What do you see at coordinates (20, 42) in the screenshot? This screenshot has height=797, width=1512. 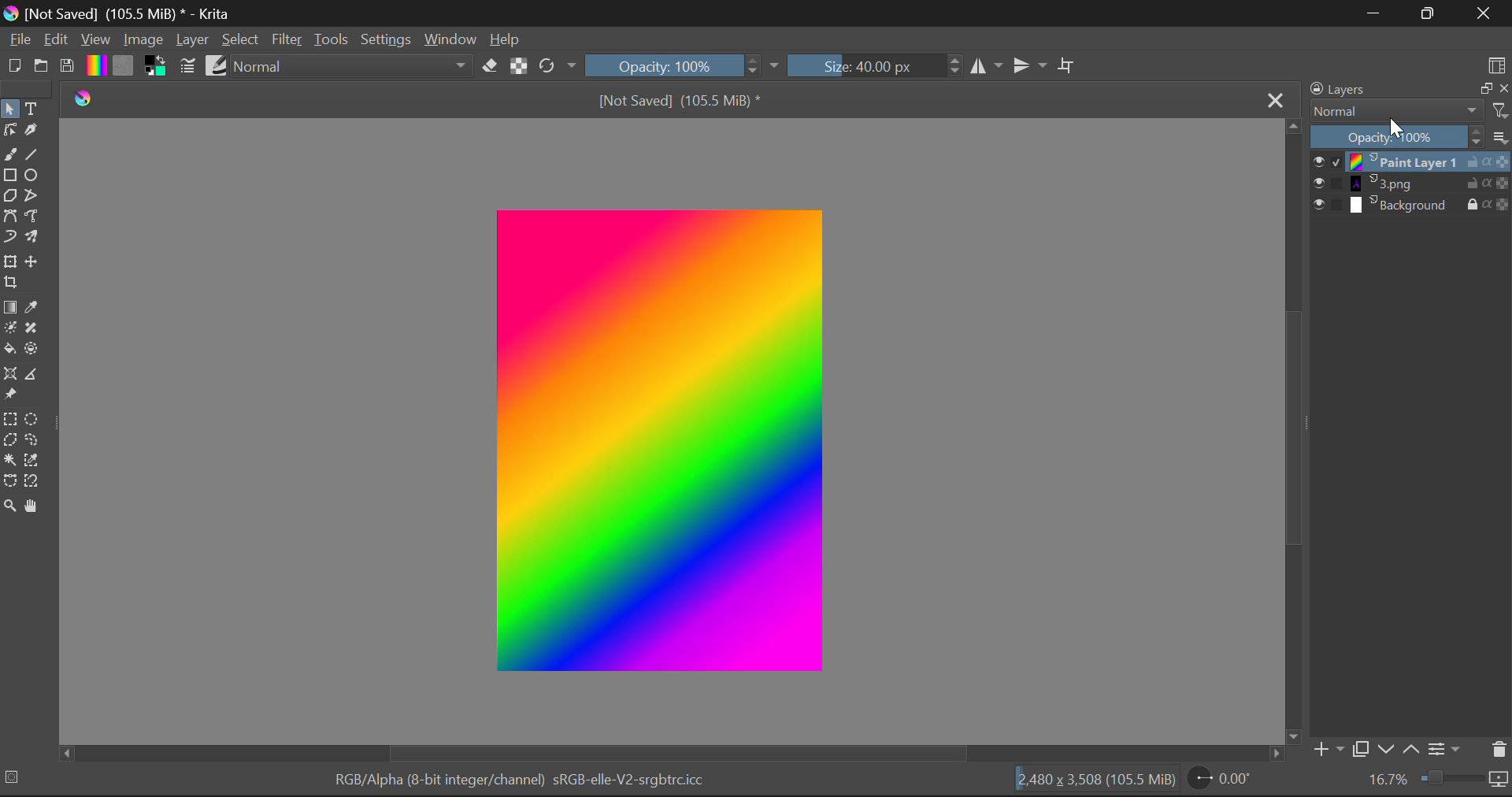 I see `File` at bounding box center [20, 42].